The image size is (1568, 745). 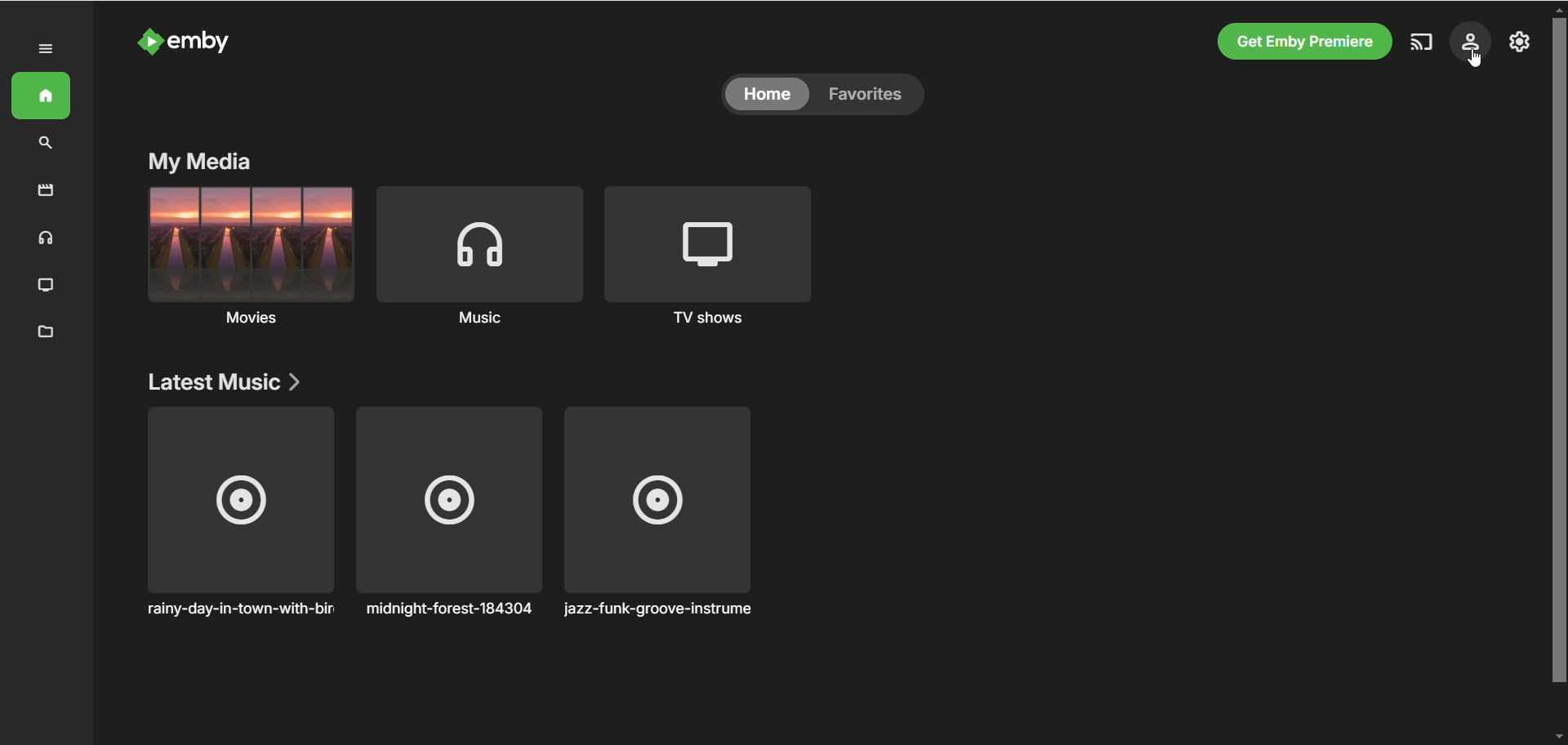 I want to click on get emby premiere, so click(x=1305, y=39).